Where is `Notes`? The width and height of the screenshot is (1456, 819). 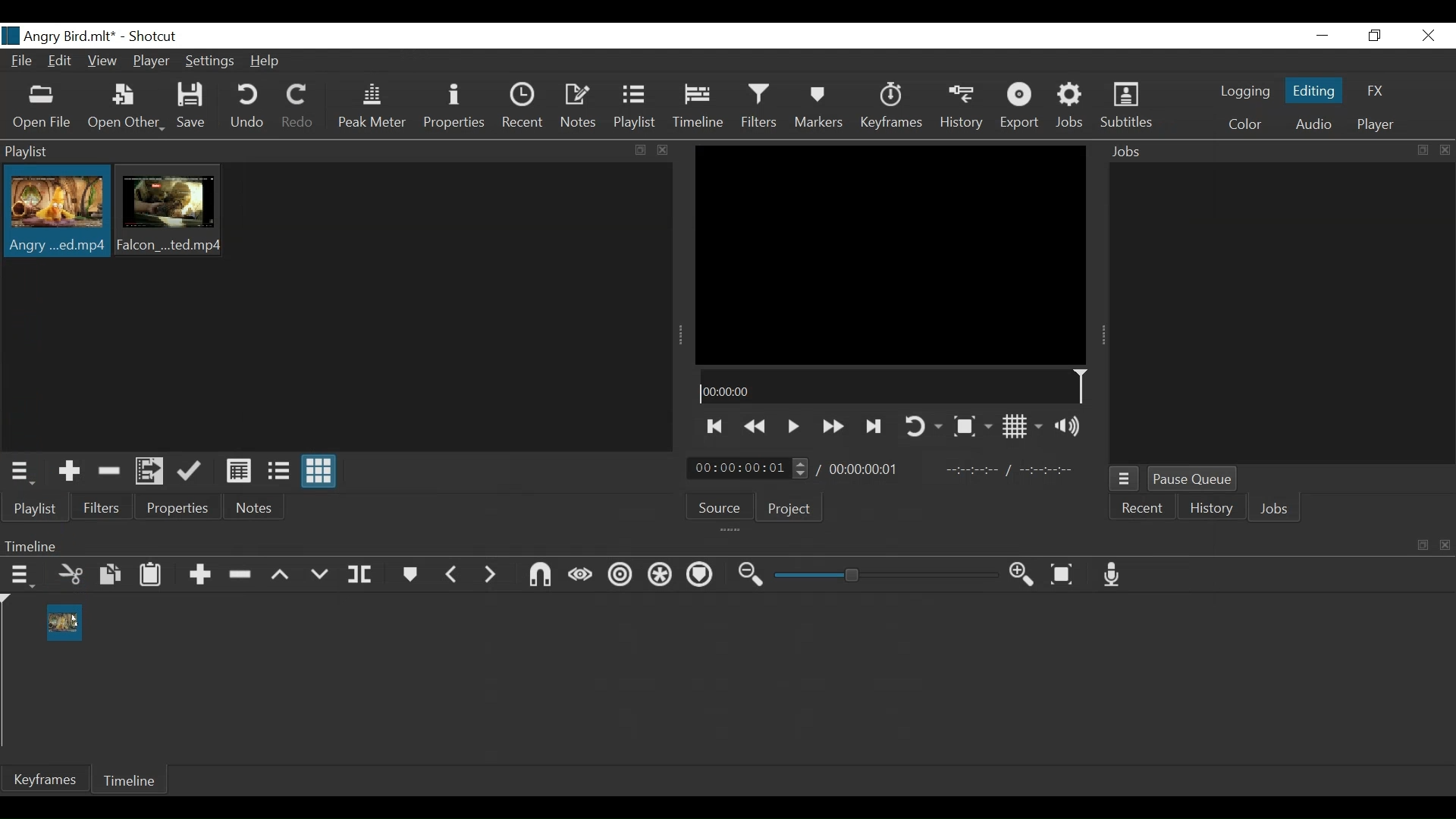 Notes is located at coordinates (253, 507).